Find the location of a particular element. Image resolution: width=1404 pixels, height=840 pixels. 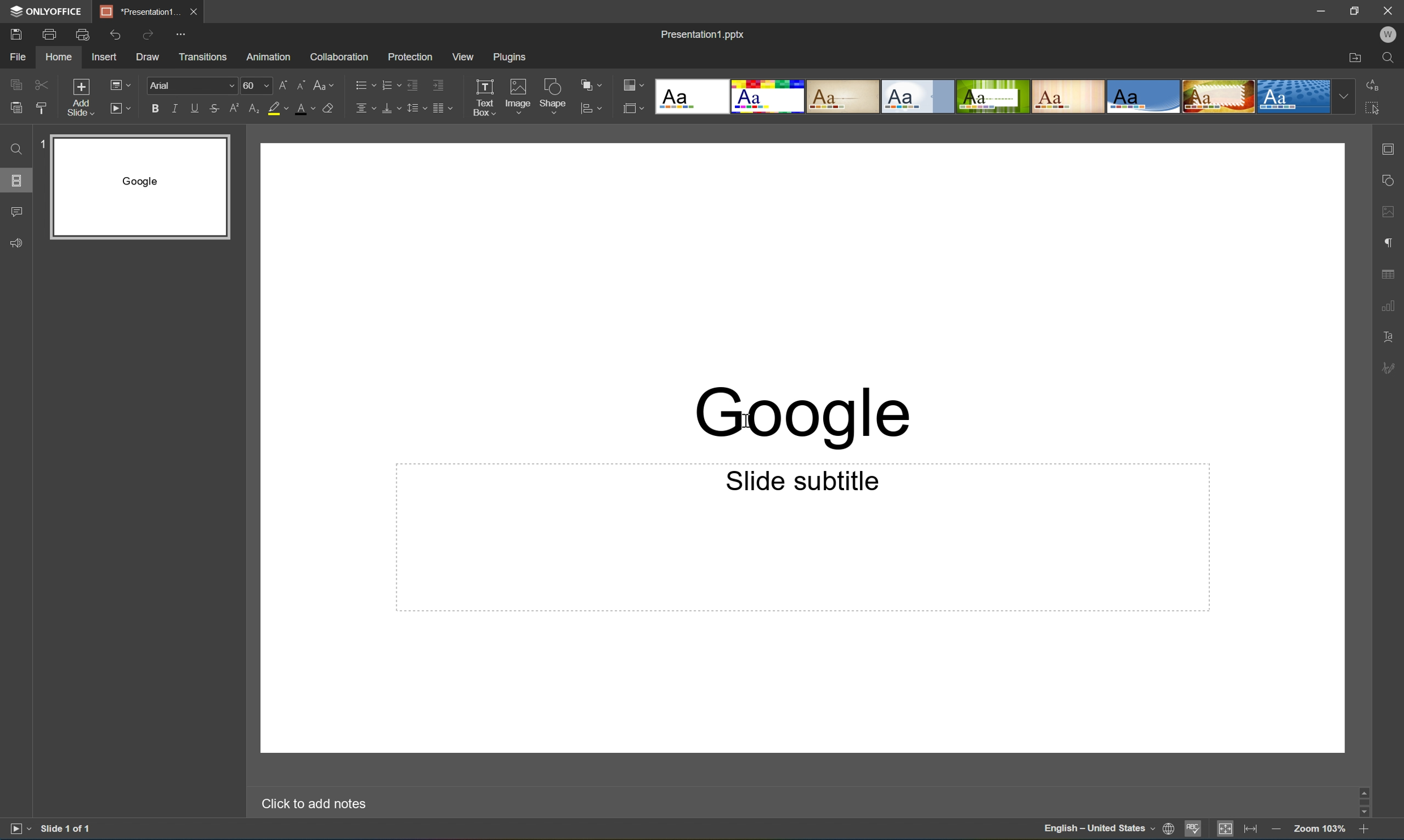

Superscript is located at coordinates (233, 110).